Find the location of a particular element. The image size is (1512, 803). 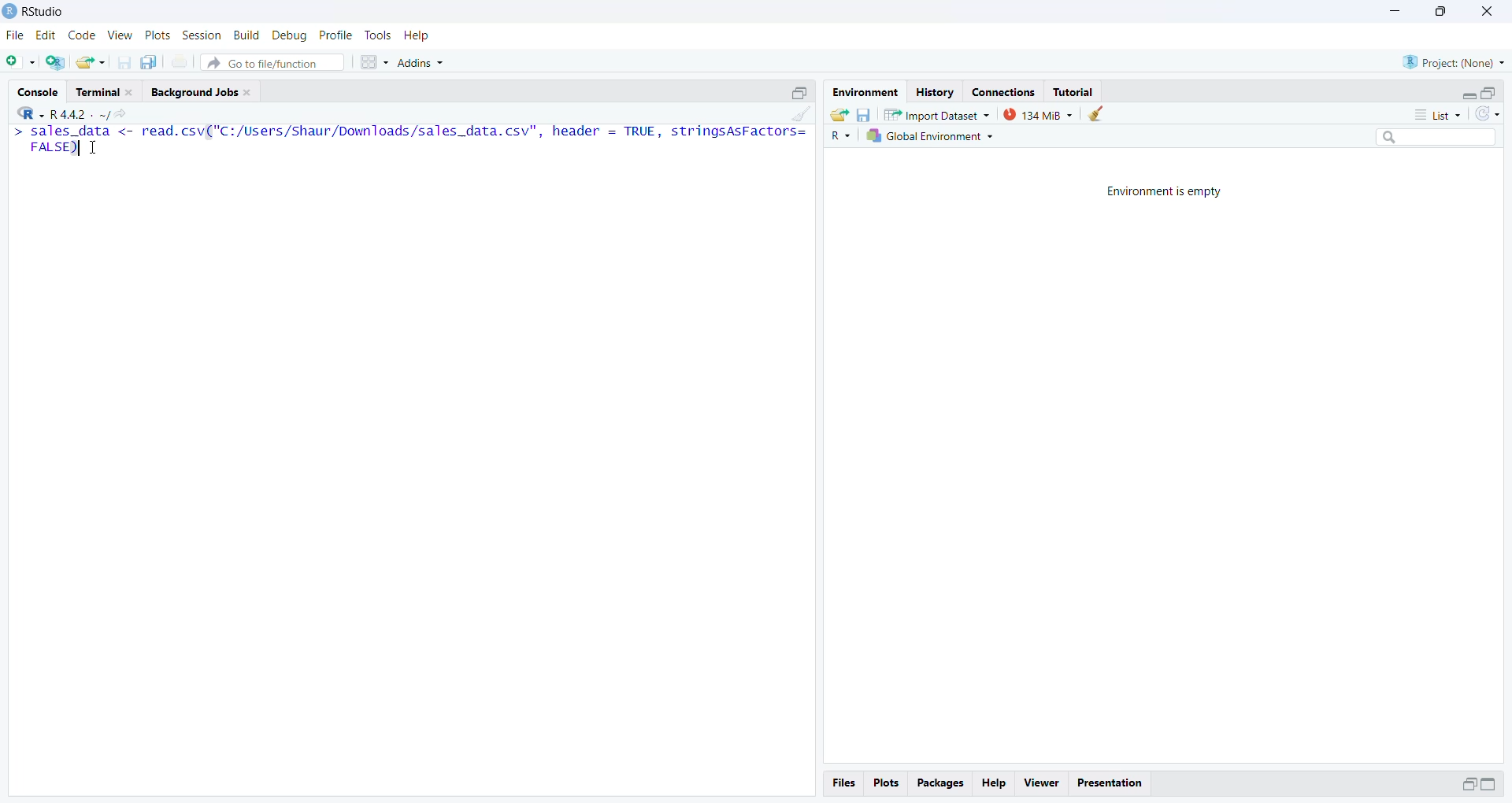

Maximize is located at coordinates (1488, 785).